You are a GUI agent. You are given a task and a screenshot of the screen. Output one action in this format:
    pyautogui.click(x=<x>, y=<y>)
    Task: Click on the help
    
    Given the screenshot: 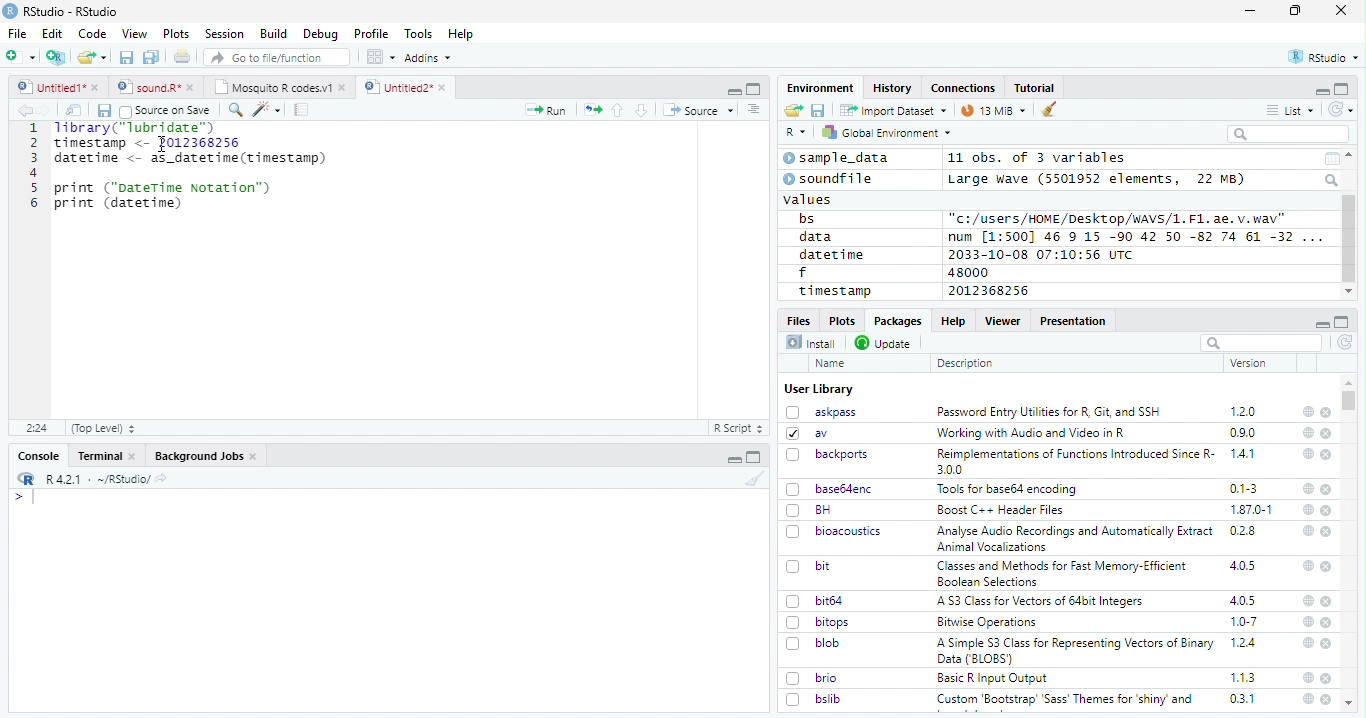 What is the action you would take?
    pyautogui.click(x=1307, y=699)
    